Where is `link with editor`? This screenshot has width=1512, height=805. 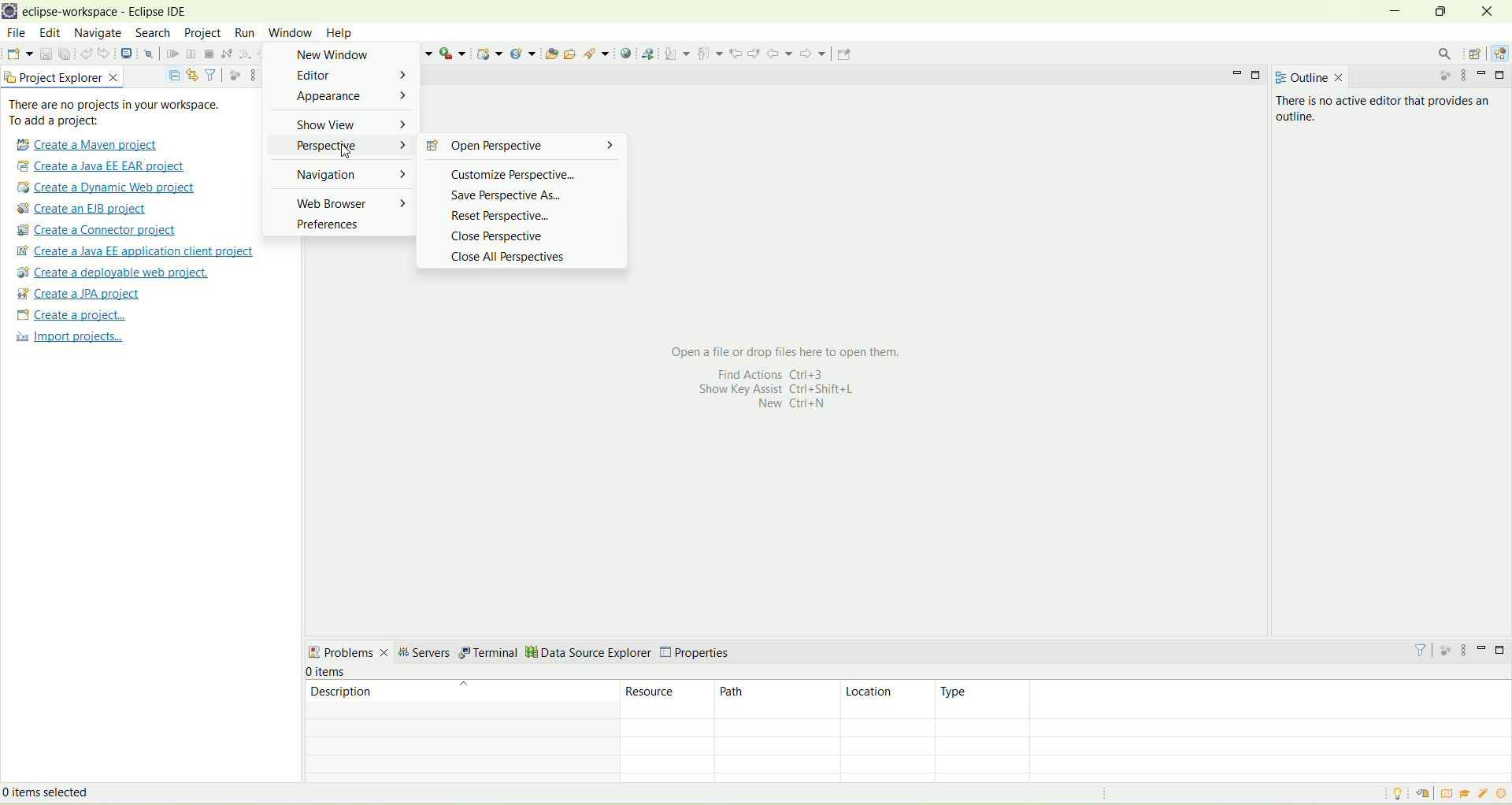 link with editor is located at coordinates (192, 74).